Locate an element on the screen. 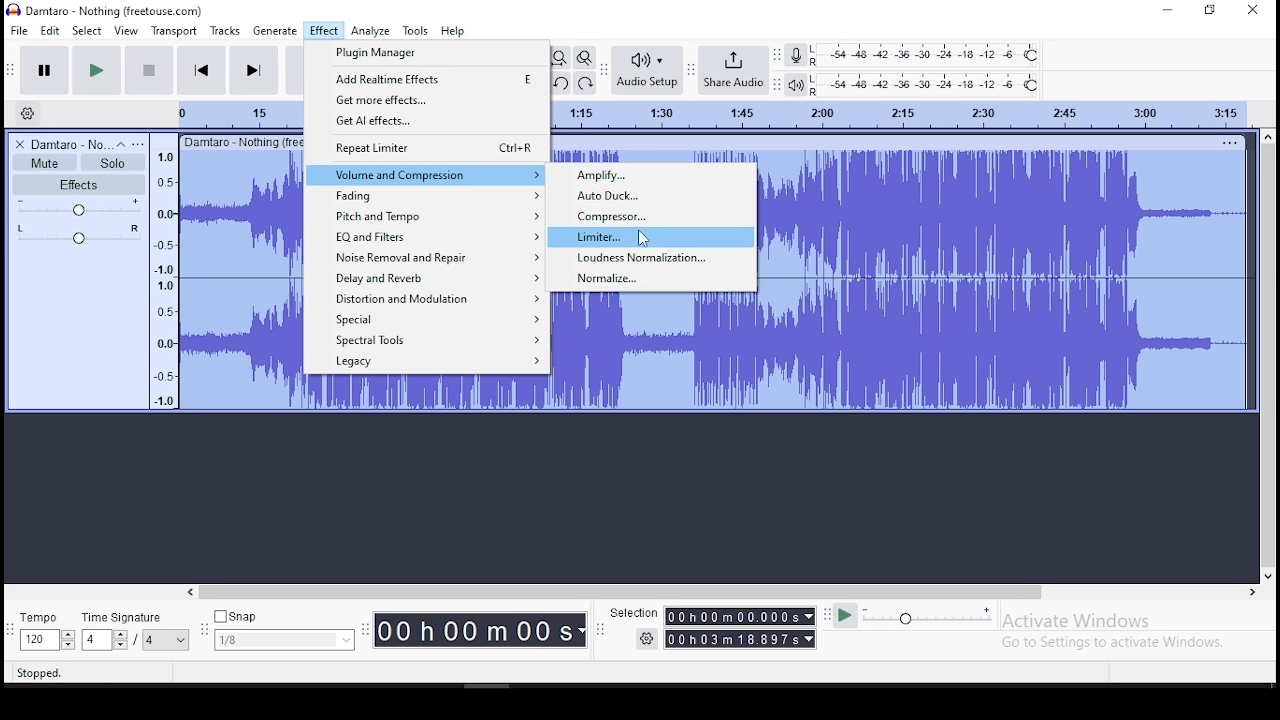 The width and height of the screenshot is (1280, 720). legacy is located at coordinates (426, 363).